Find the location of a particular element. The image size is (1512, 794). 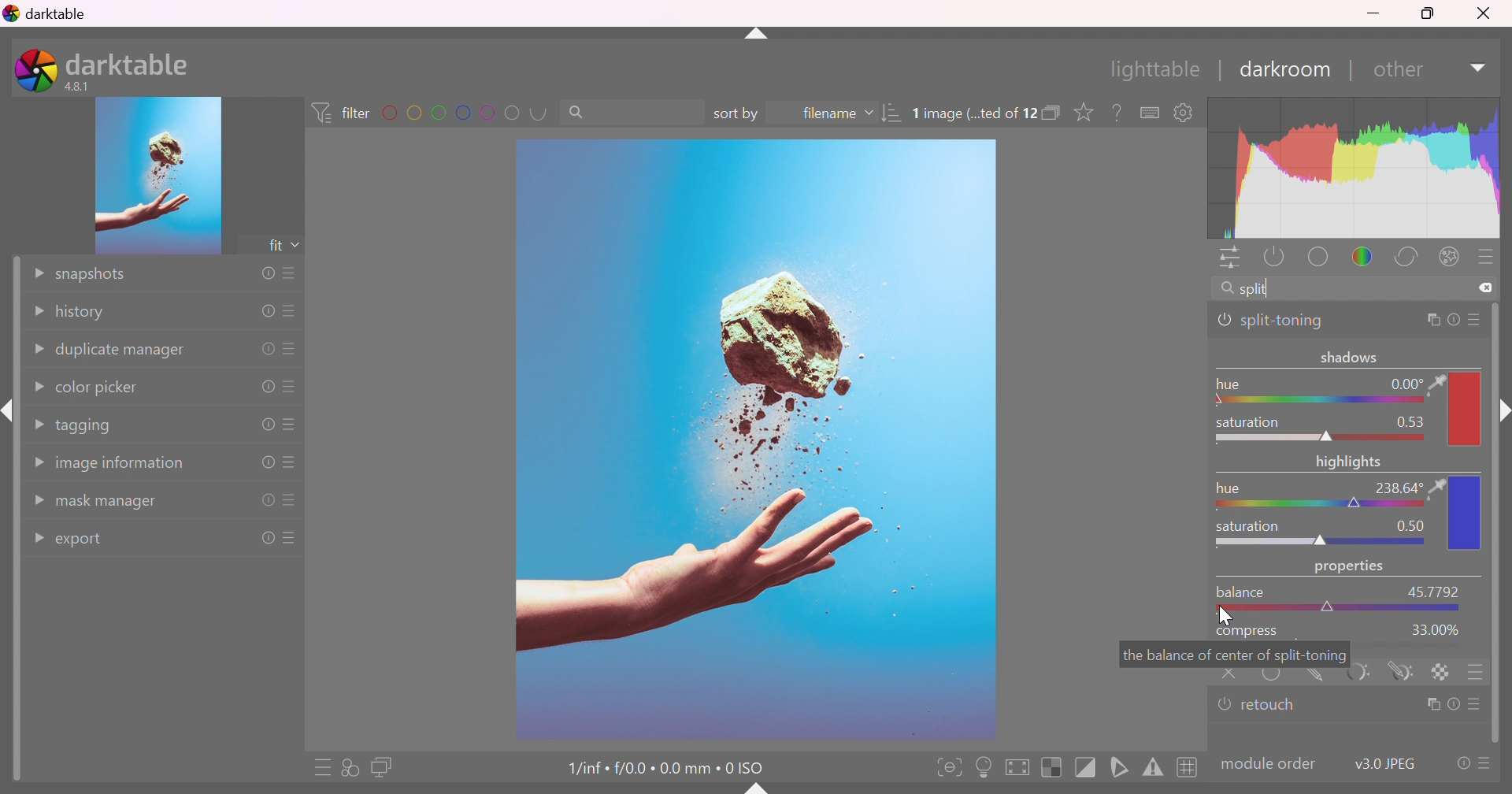

compress is located at coordinates (1250, 633).